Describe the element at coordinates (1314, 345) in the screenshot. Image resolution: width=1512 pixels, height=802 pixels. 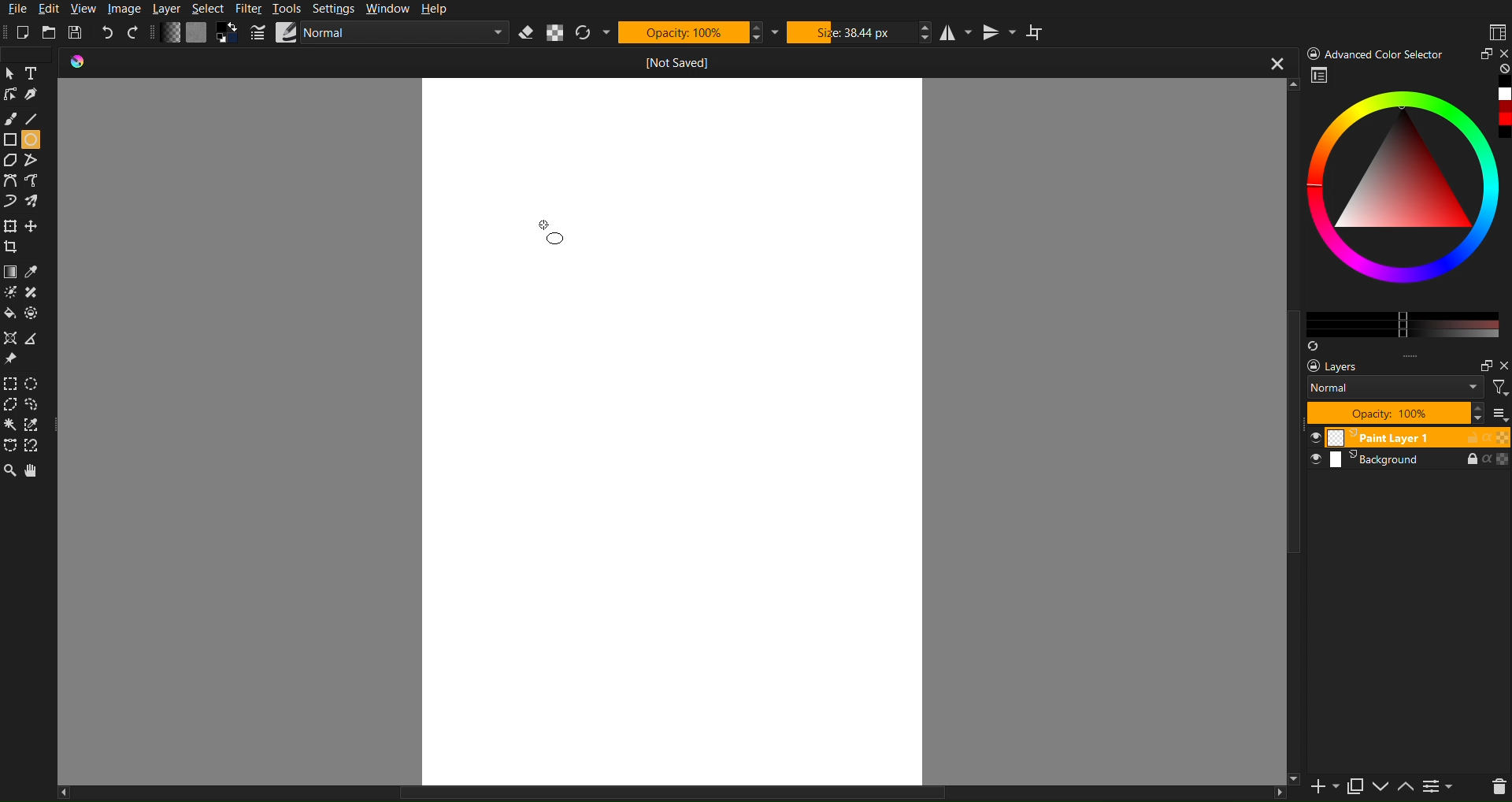
I see `Syns` at that location.